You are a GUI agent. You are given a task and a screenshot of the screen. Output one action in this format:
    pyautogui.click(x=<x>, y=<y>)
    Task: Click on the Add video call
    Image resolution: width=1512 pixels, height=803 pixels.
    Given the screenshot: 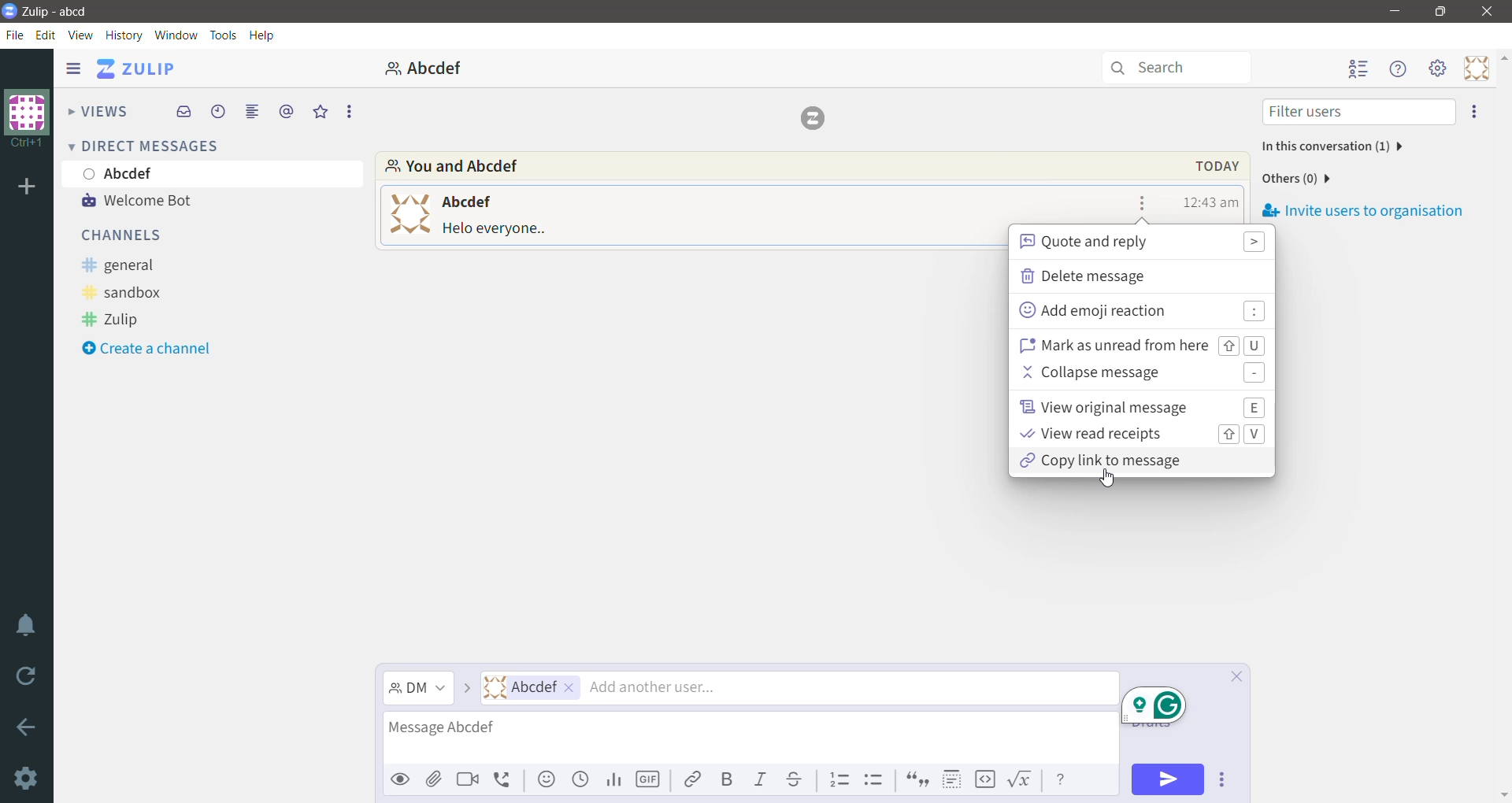 What is the action you would take?
    pyautogui.click(x=469, y=779)
    